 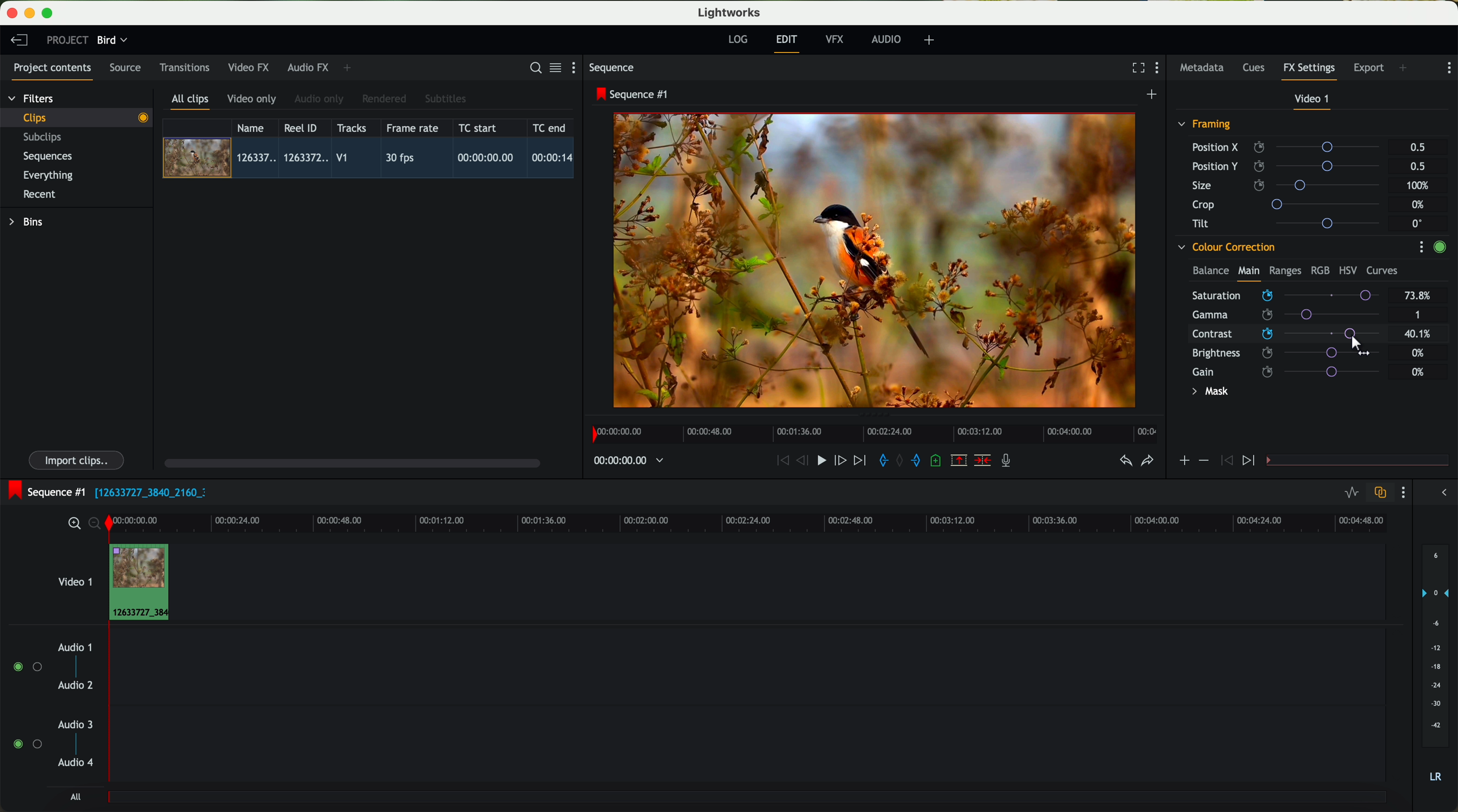 What do you see at coordinates (112, 41) in the screenshot?
I see `bird` at bounding box center [112, 41].